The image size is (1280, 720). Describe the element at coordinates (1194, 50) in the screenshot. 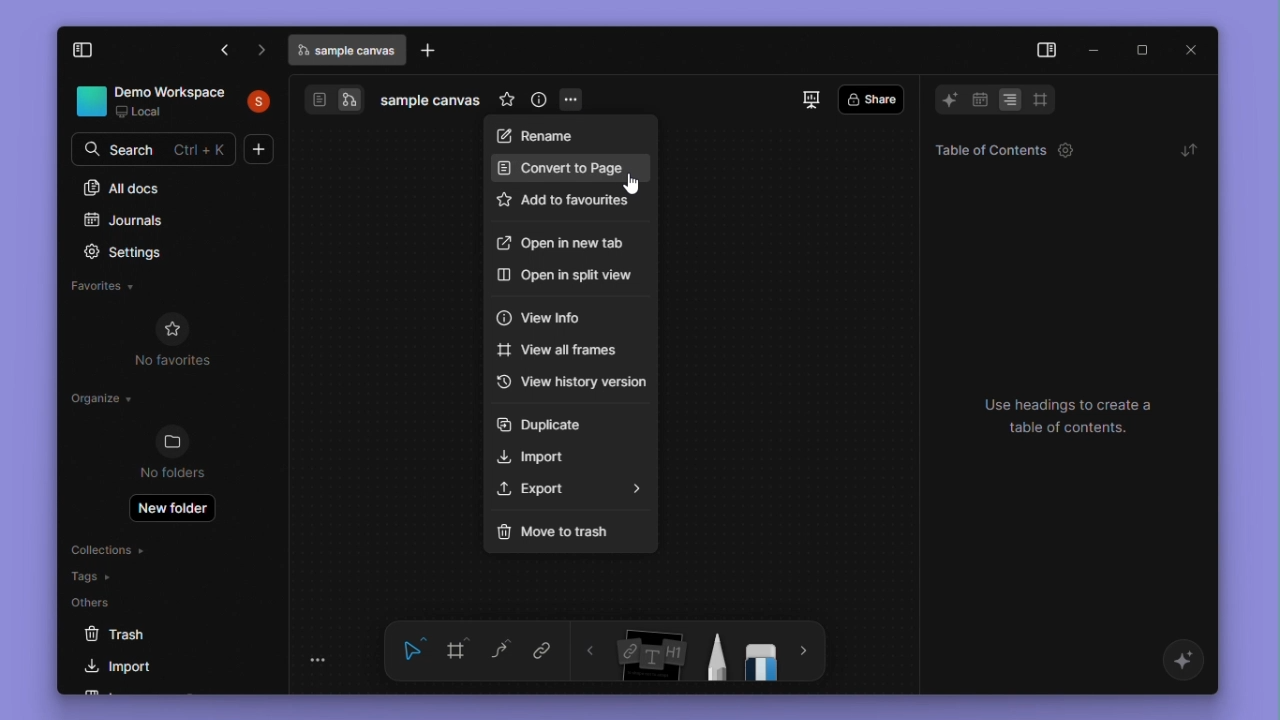

I see `Close` at that location.